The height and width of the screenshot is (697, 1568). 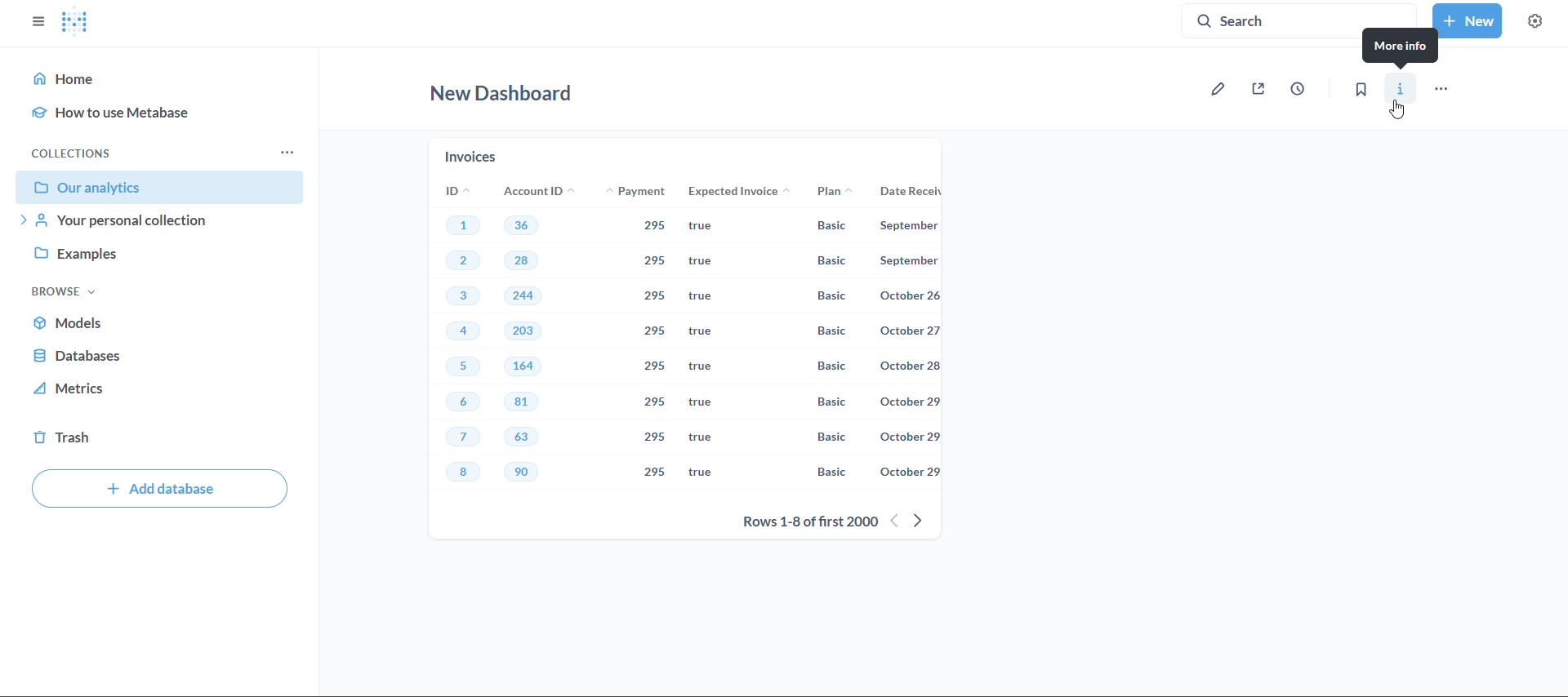 I want to click on trash, so click(x=163, y=437).